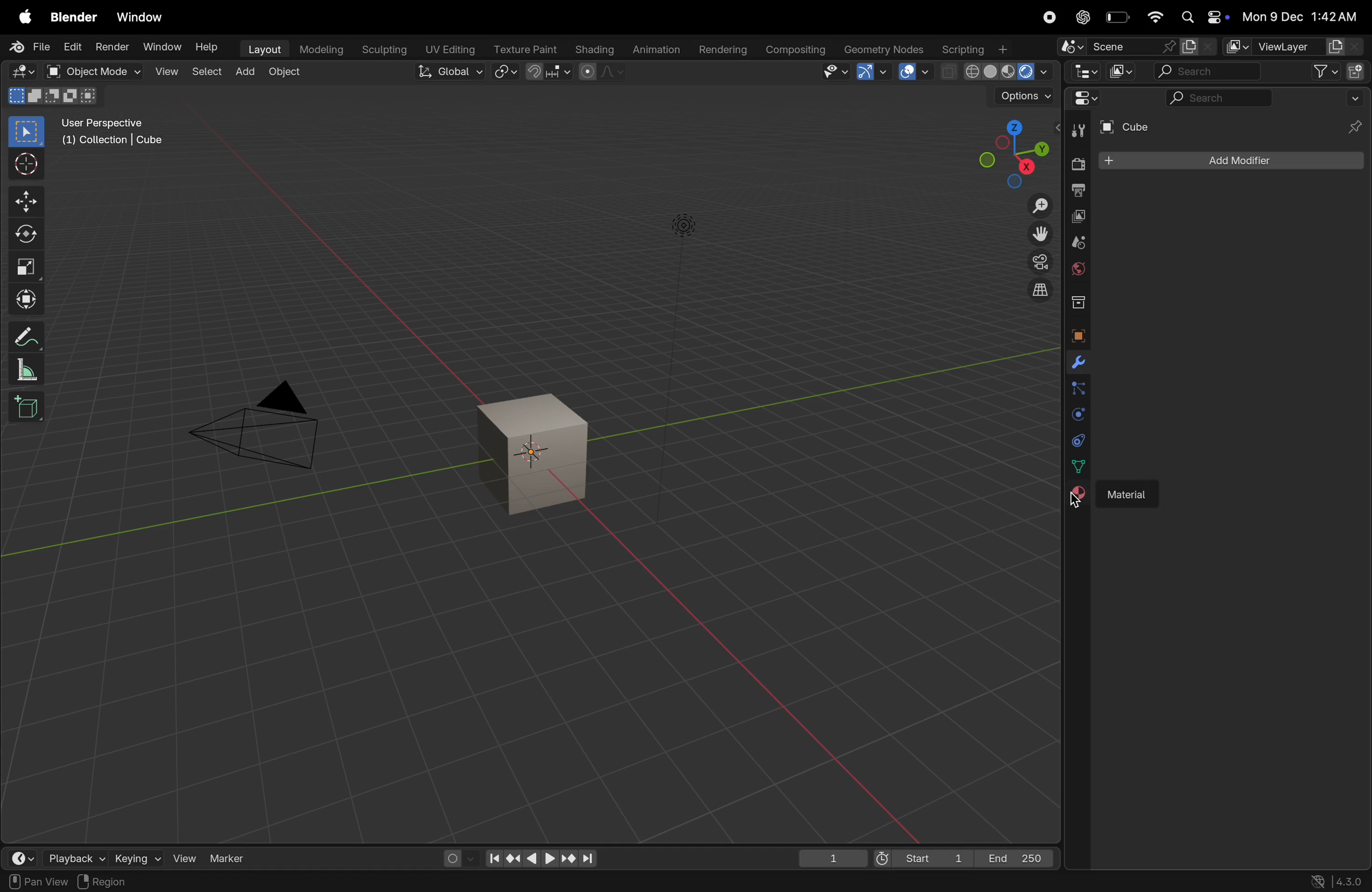 The height and width of the screenshot is (892, 1372). What do you see at coordinates (527, 49) in the screenshot?
I see `Texture paint` at bounding box center [527, 49].